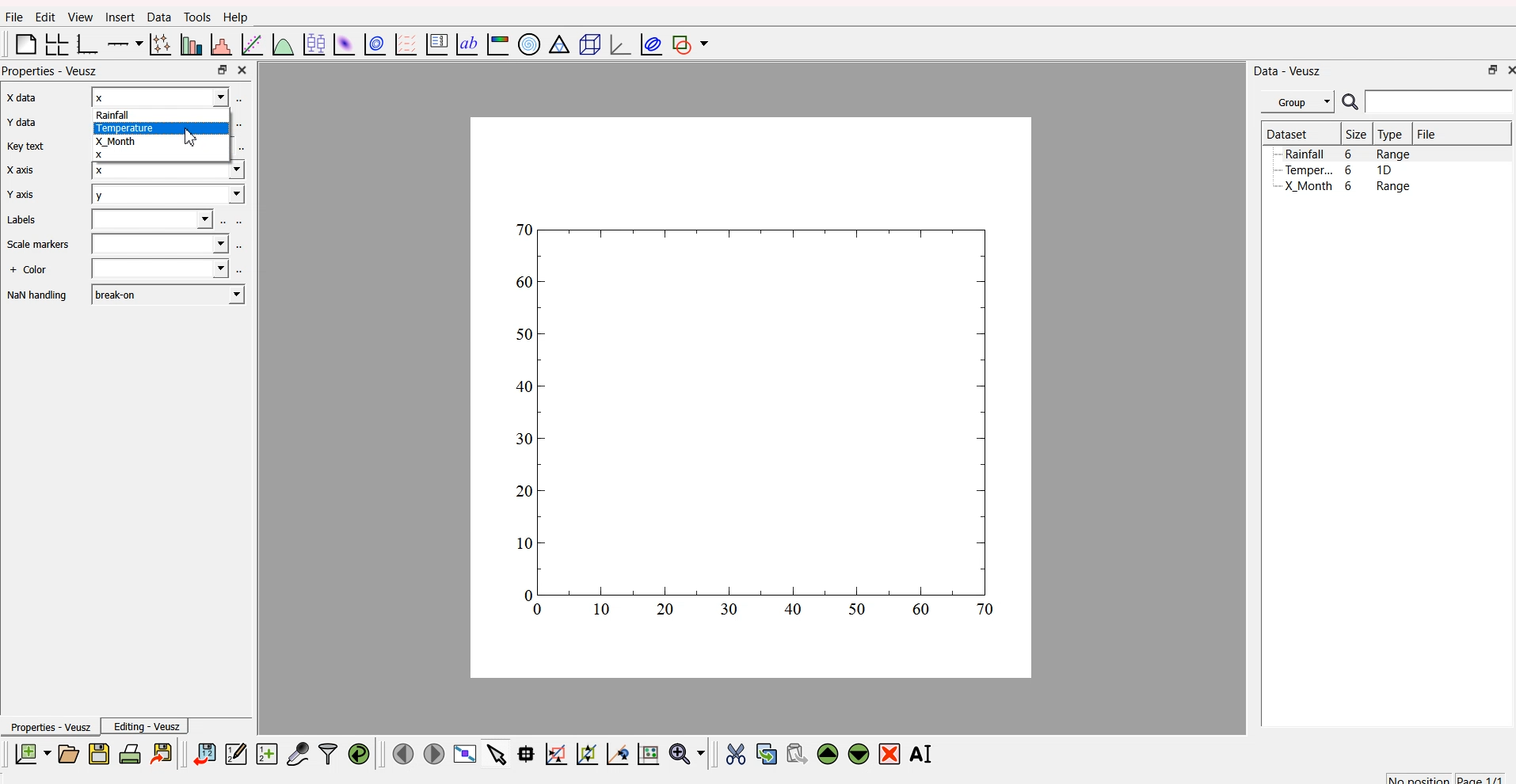 The width and height of the screenshot is (1516, 784). Describe the element at coordinates (43, 17) in the screenshot. I see `Edit` at that location.